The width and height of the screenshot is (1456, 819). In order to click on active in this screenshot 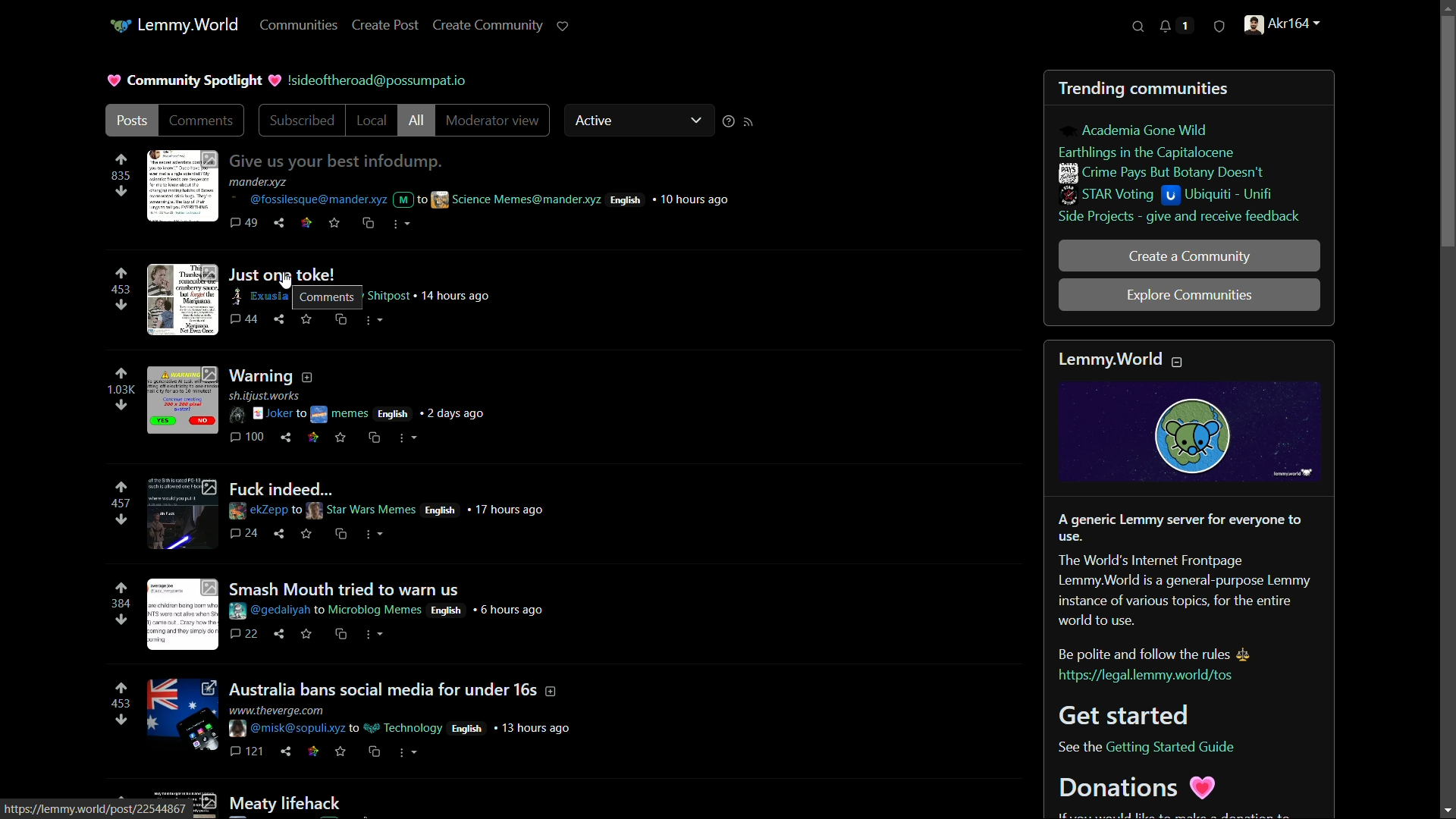, I will do `click(640, 119)`.